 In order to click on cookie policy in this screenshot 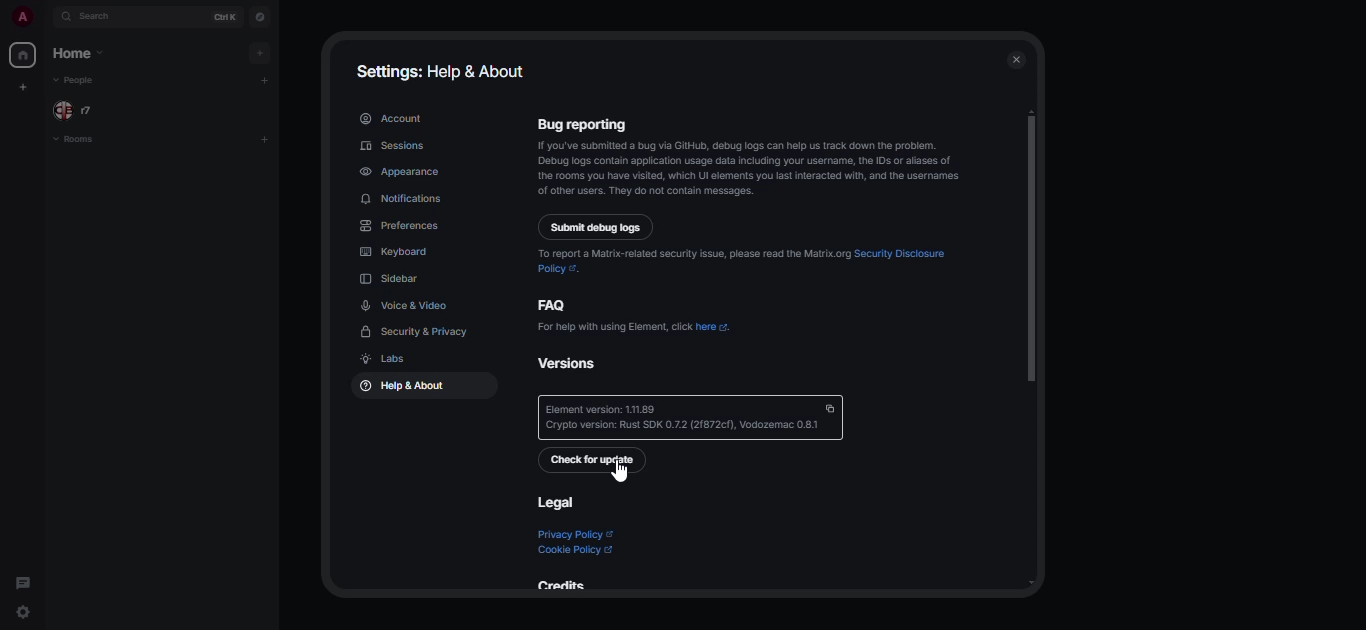, I will do `click(576, 550)`.